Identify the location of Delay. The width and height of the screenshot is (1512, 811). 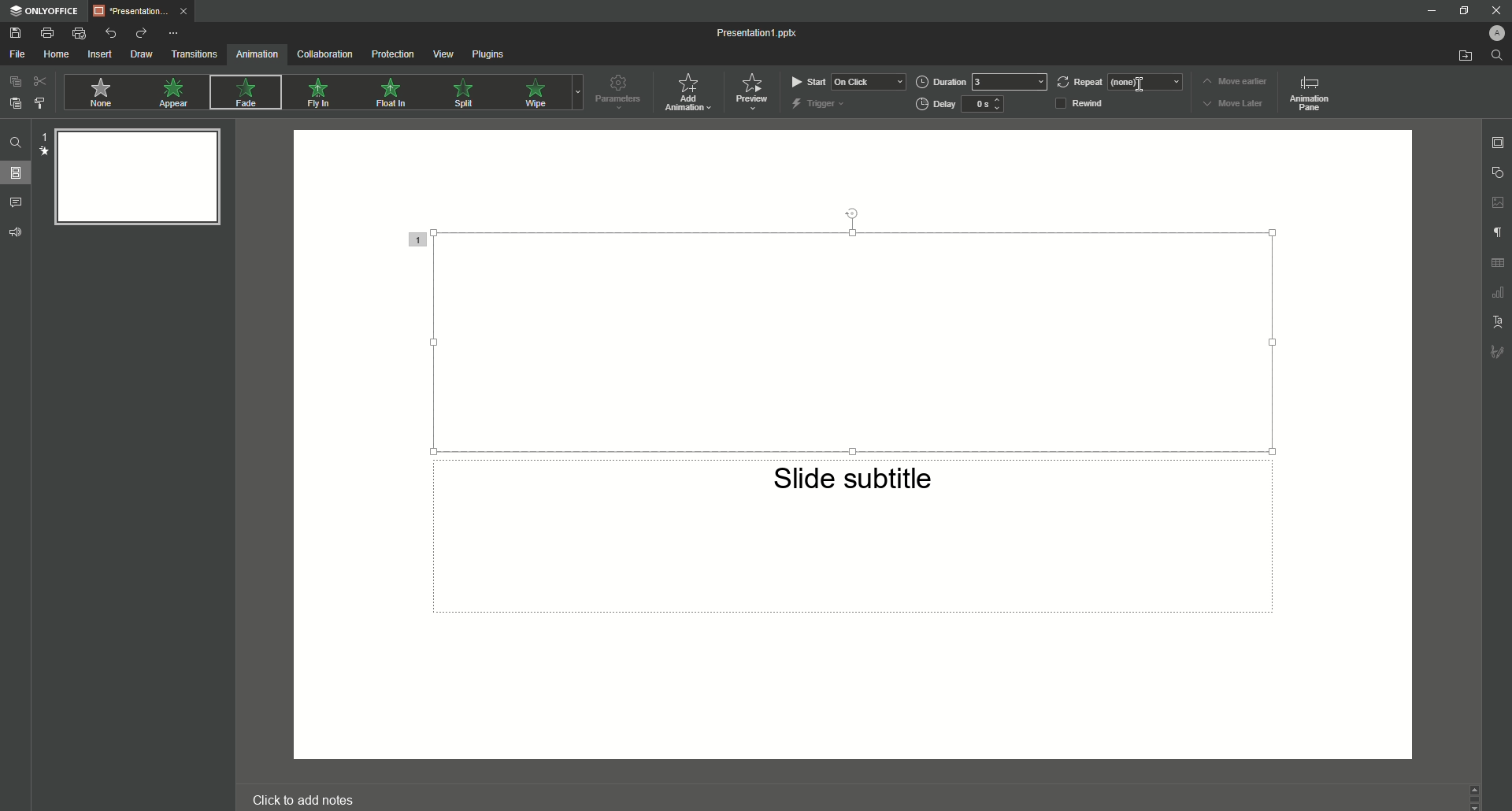
(962, 105).